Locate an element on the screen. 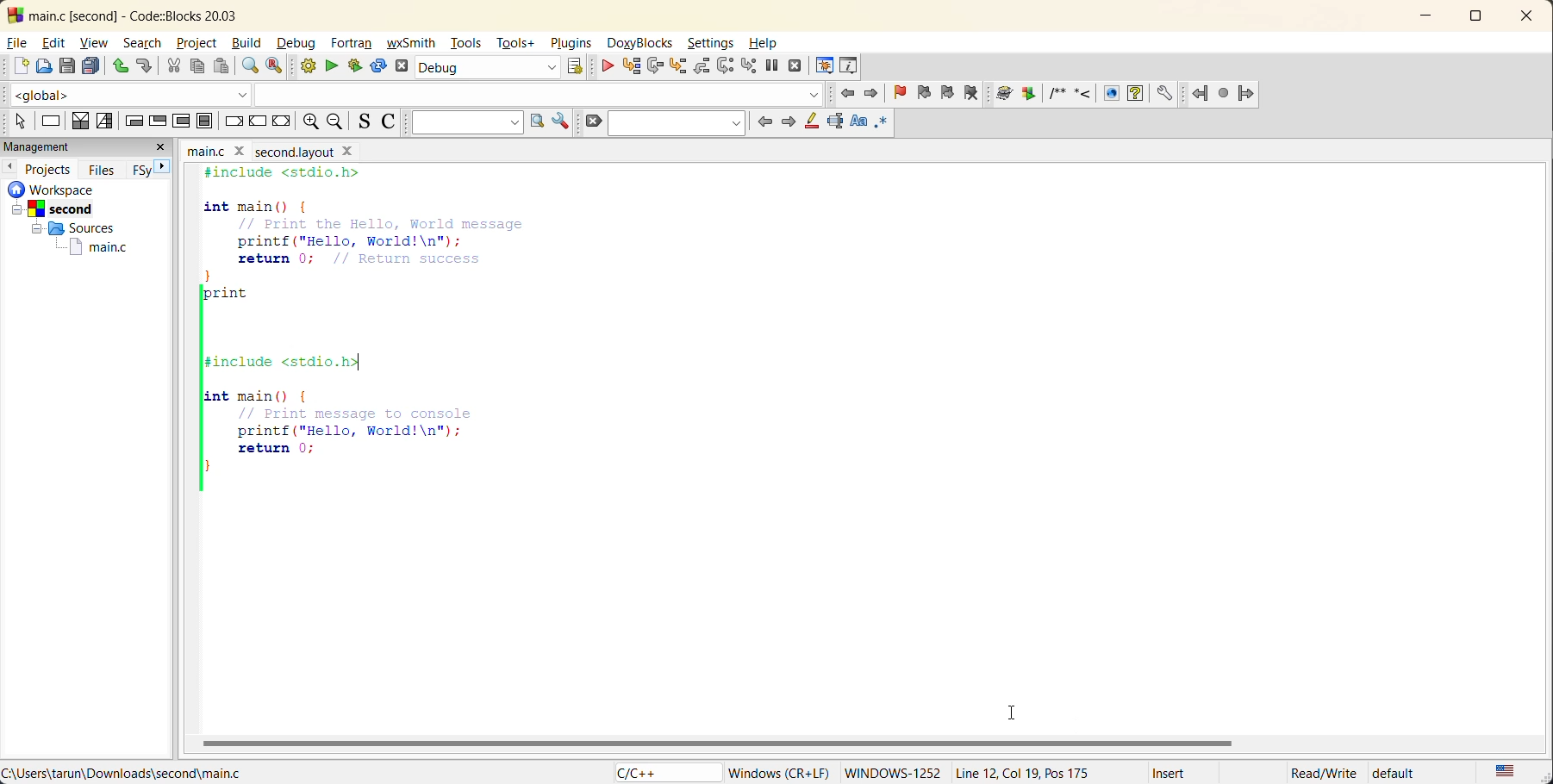 The width and height of the screenshot is (1553, 784). Windows (CR+LF) is located at coordinates (777, 769).